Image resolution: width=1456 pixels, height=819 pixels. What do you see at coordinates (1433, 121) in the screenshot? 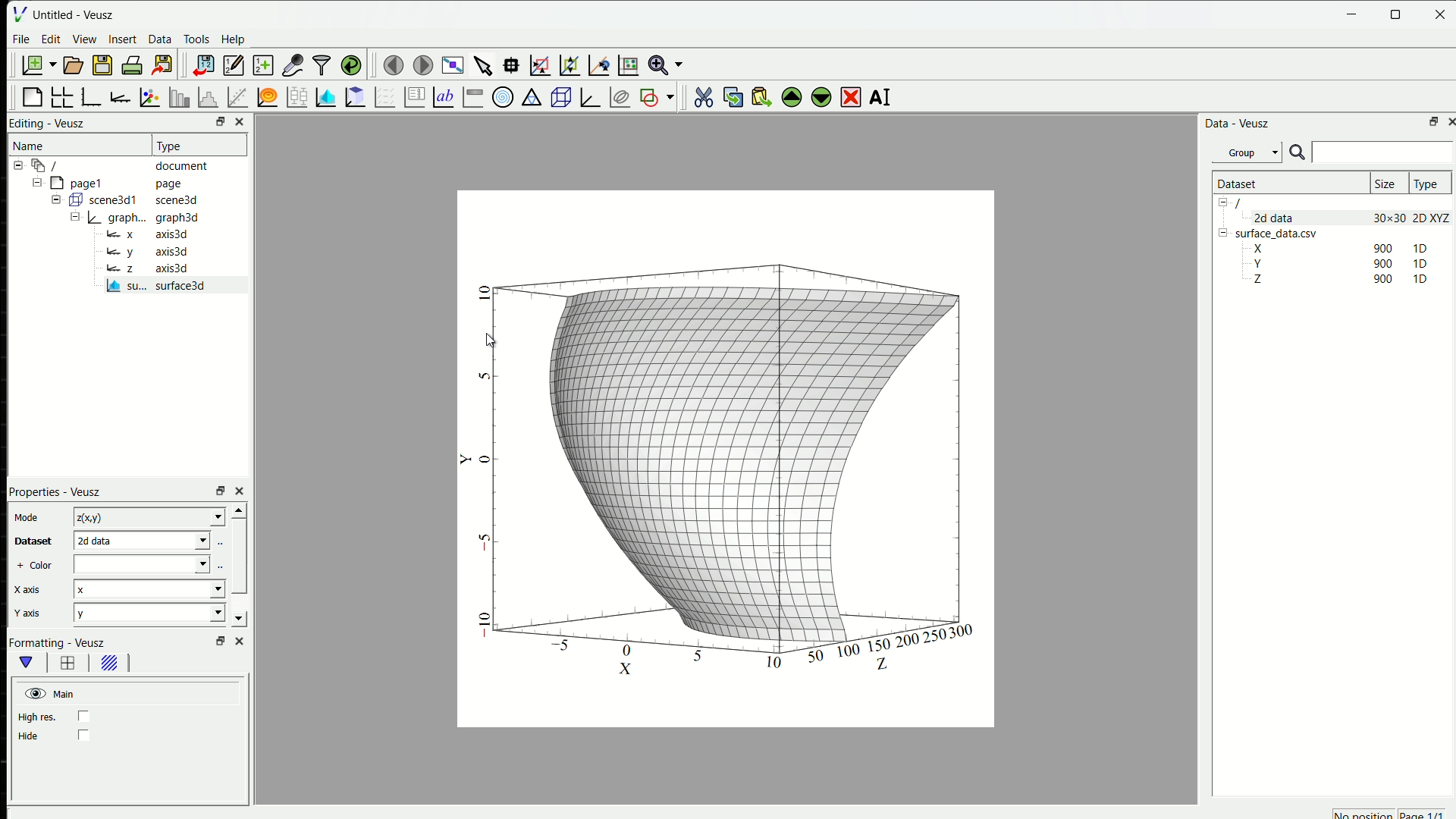
I see `open in separate window` at bounding box center [1433, 121].